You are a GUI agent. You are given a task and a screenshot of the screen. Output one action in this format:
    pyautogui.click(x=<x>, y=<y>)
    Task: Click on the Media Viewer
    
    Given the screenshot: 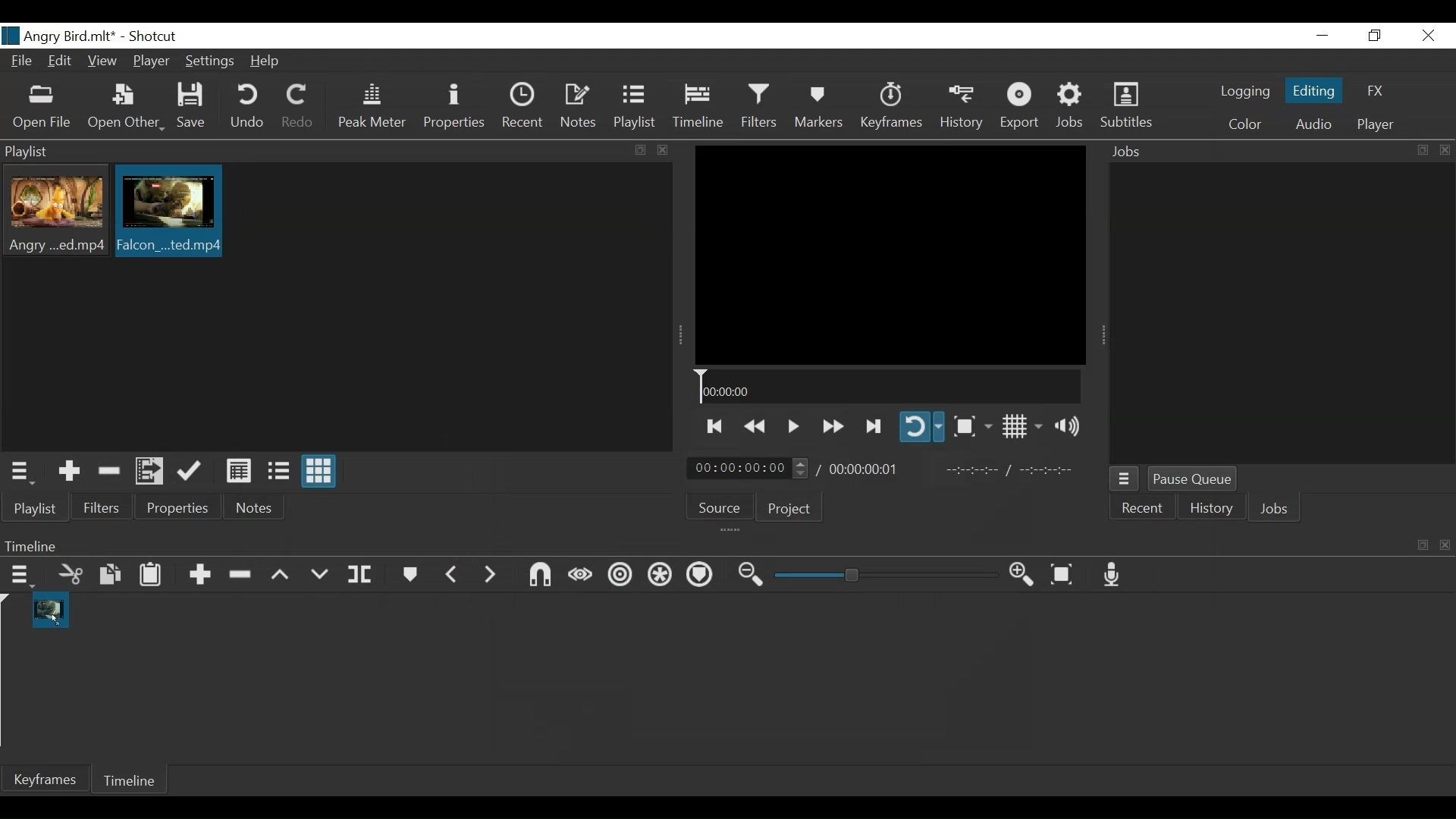 What is the action you would take?
    pyautogui.click(x=890, y=252)
    